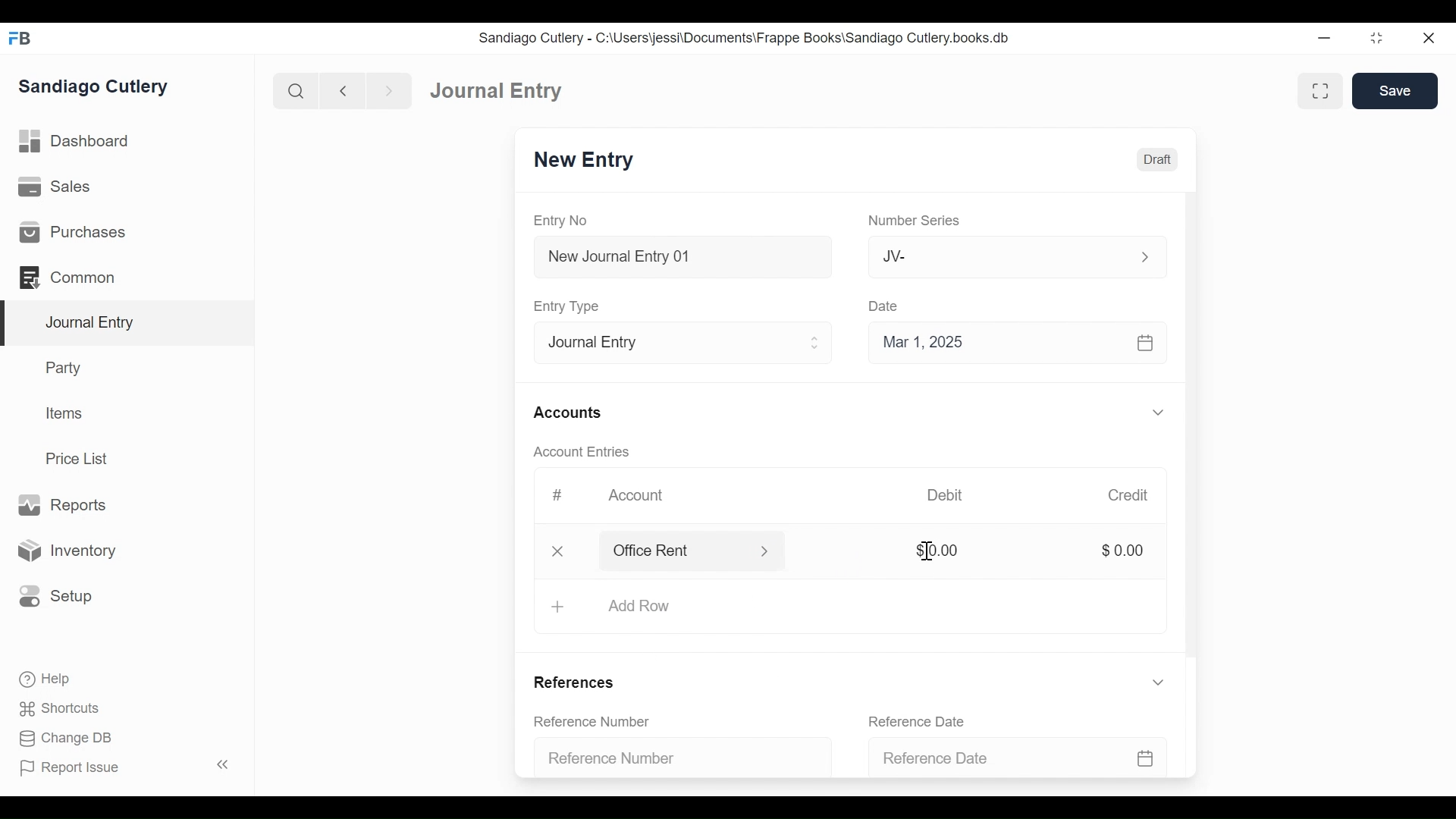 This screenshot has height=819, width=1456. Describe the element at coordinates (1326, 35) in the screenshot. I see `minimize` at that location.